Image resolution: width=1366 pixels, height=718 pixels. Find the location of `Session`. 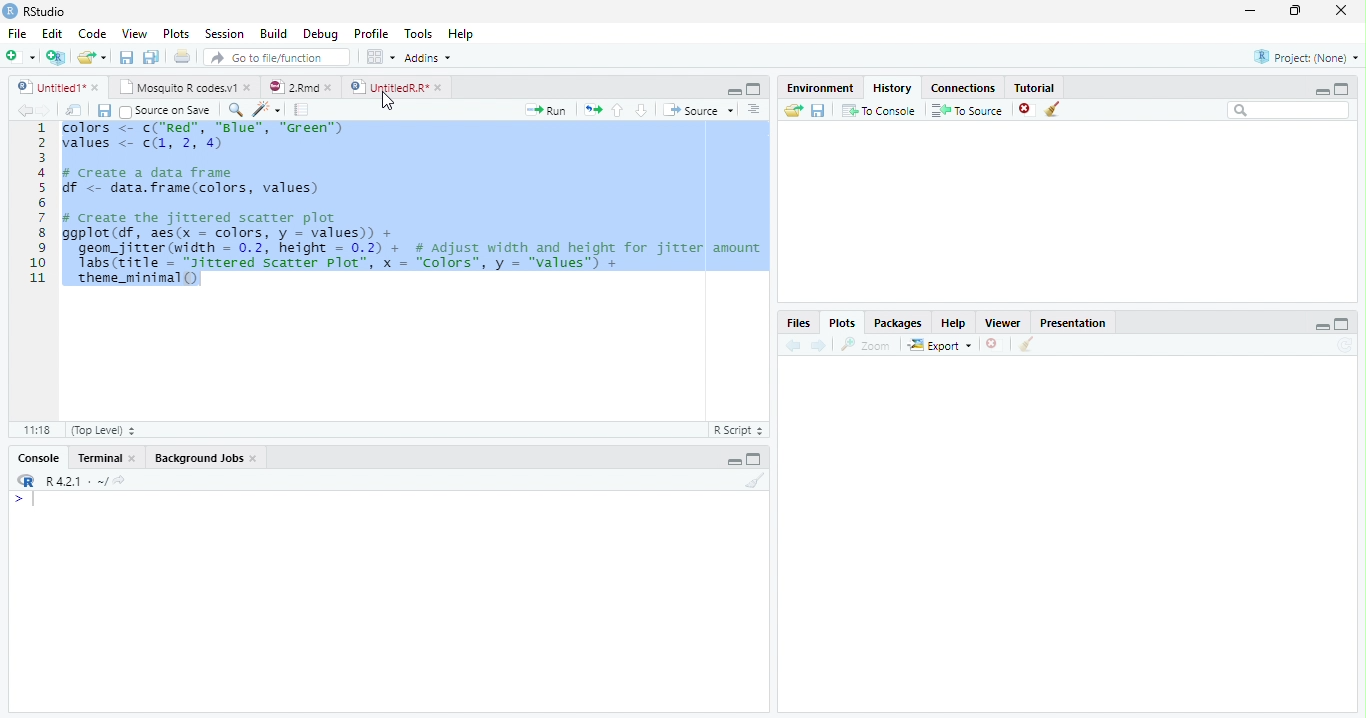

Session is located at coordinates (224, 33).